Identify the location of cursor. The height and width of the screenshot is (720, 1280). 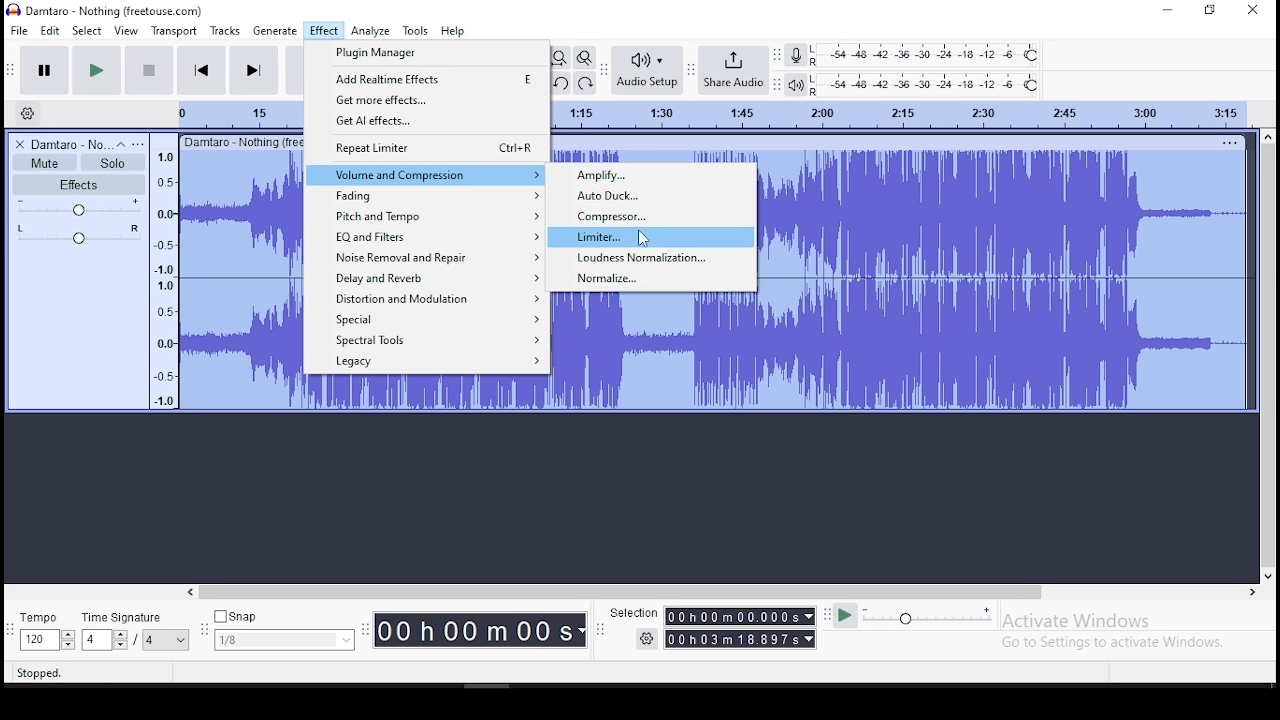
(326, 45).